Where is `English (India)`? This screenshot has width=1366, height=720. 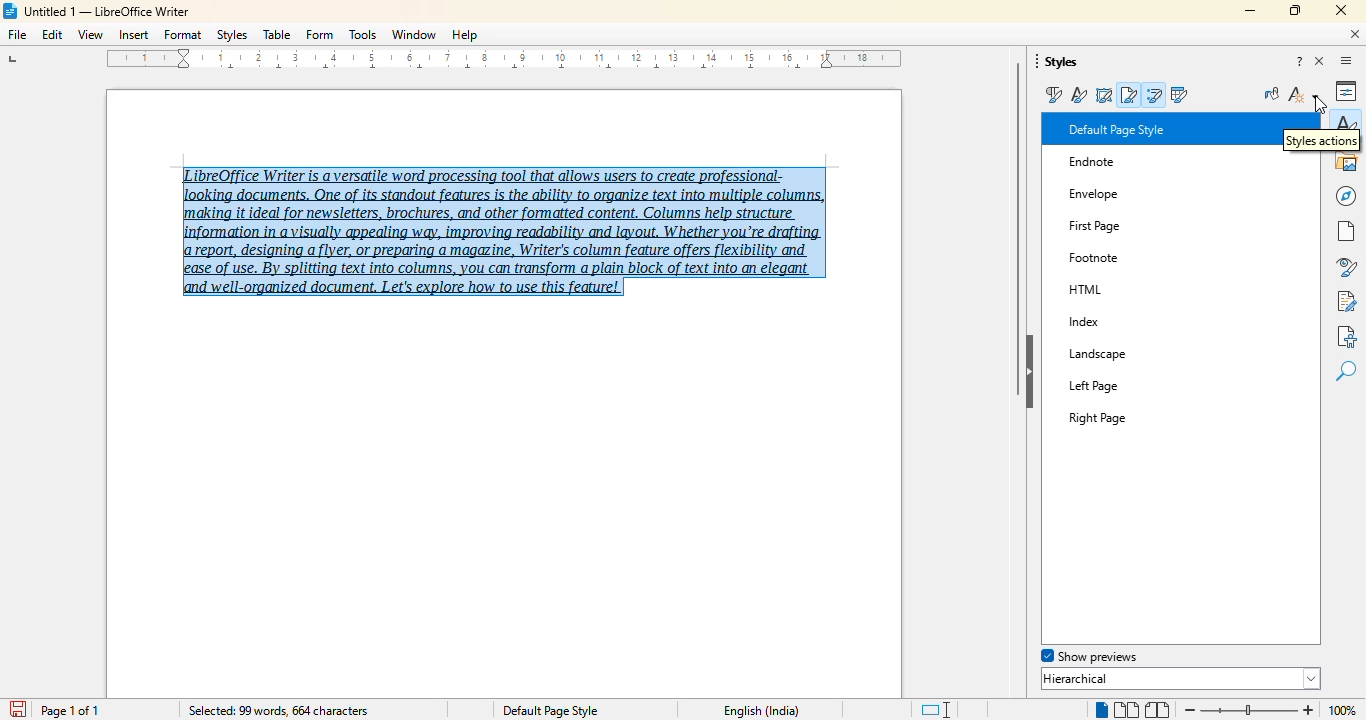 English (India) is located at coordinates (762, 711).